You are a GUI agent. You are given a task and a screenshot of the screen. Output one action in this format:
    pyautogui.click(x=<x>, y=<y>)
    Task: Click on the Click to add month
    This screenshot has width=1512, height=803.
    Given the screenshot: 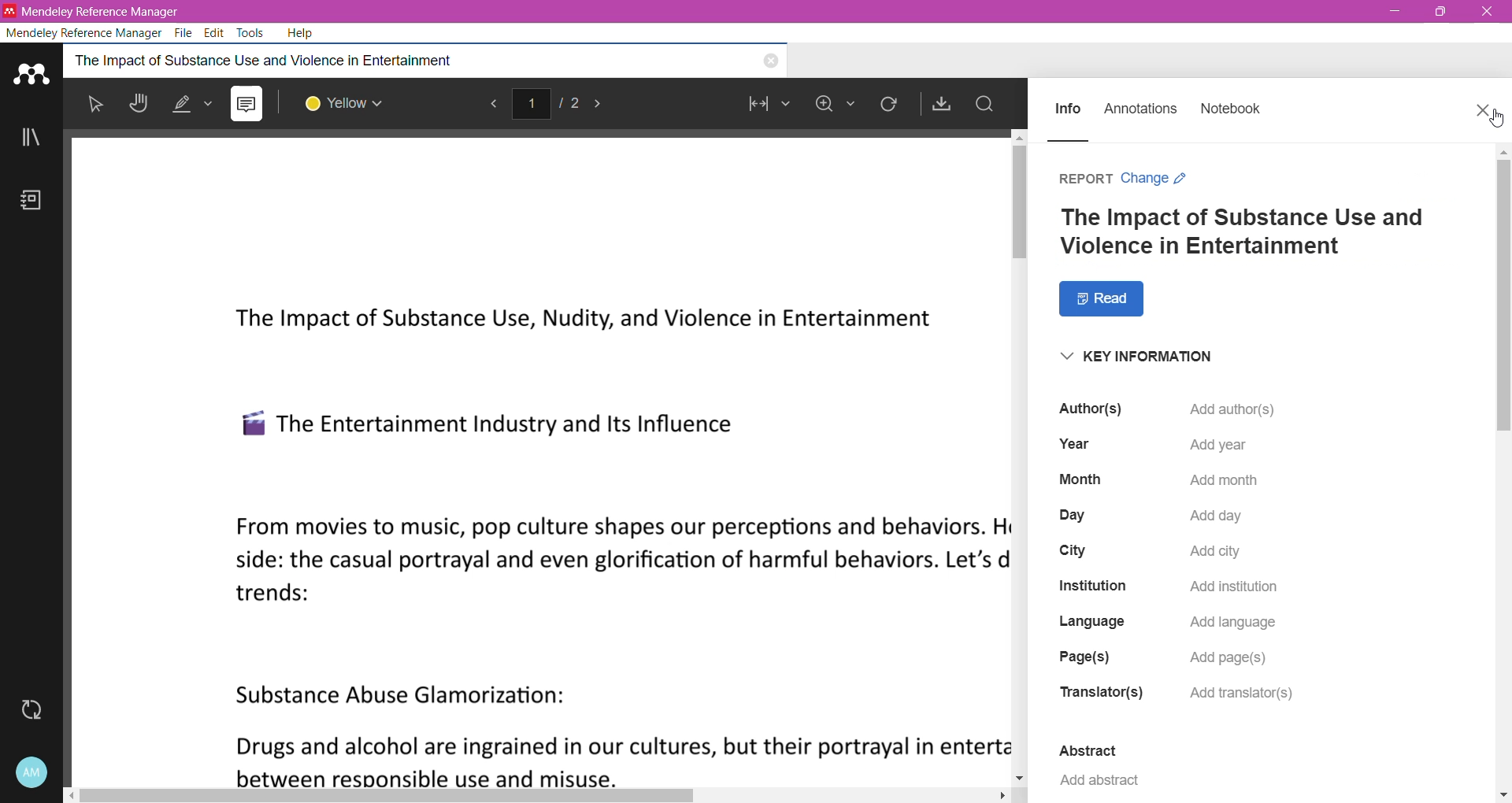 What is the action you would take?
    pyautogui.click(x=1223, y=483)
    